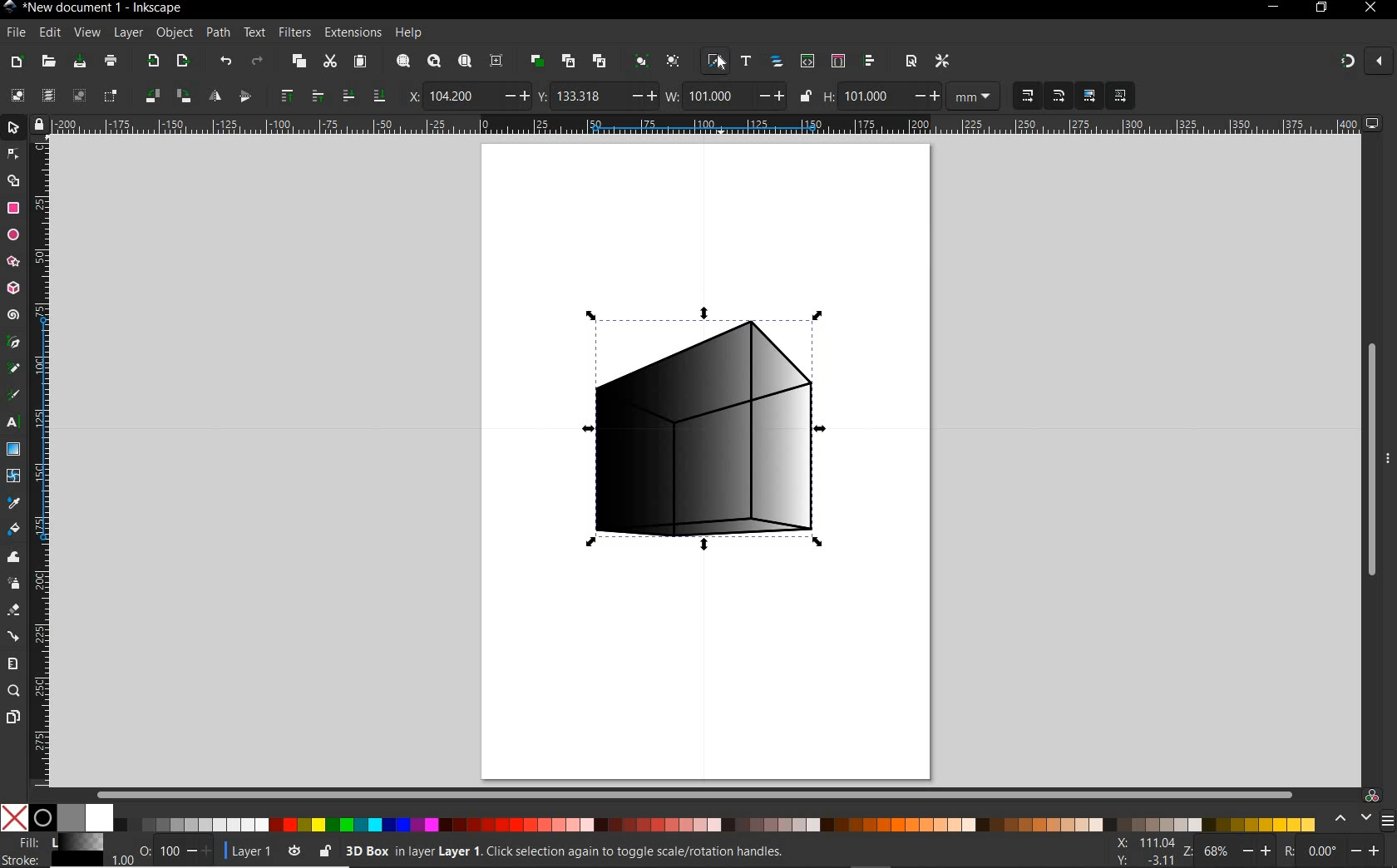 The image size is (1397, 868). What do you see at coordinates (146, 846) in the screenshot?
I see `OPACITY` at bounding box center [146, 846].